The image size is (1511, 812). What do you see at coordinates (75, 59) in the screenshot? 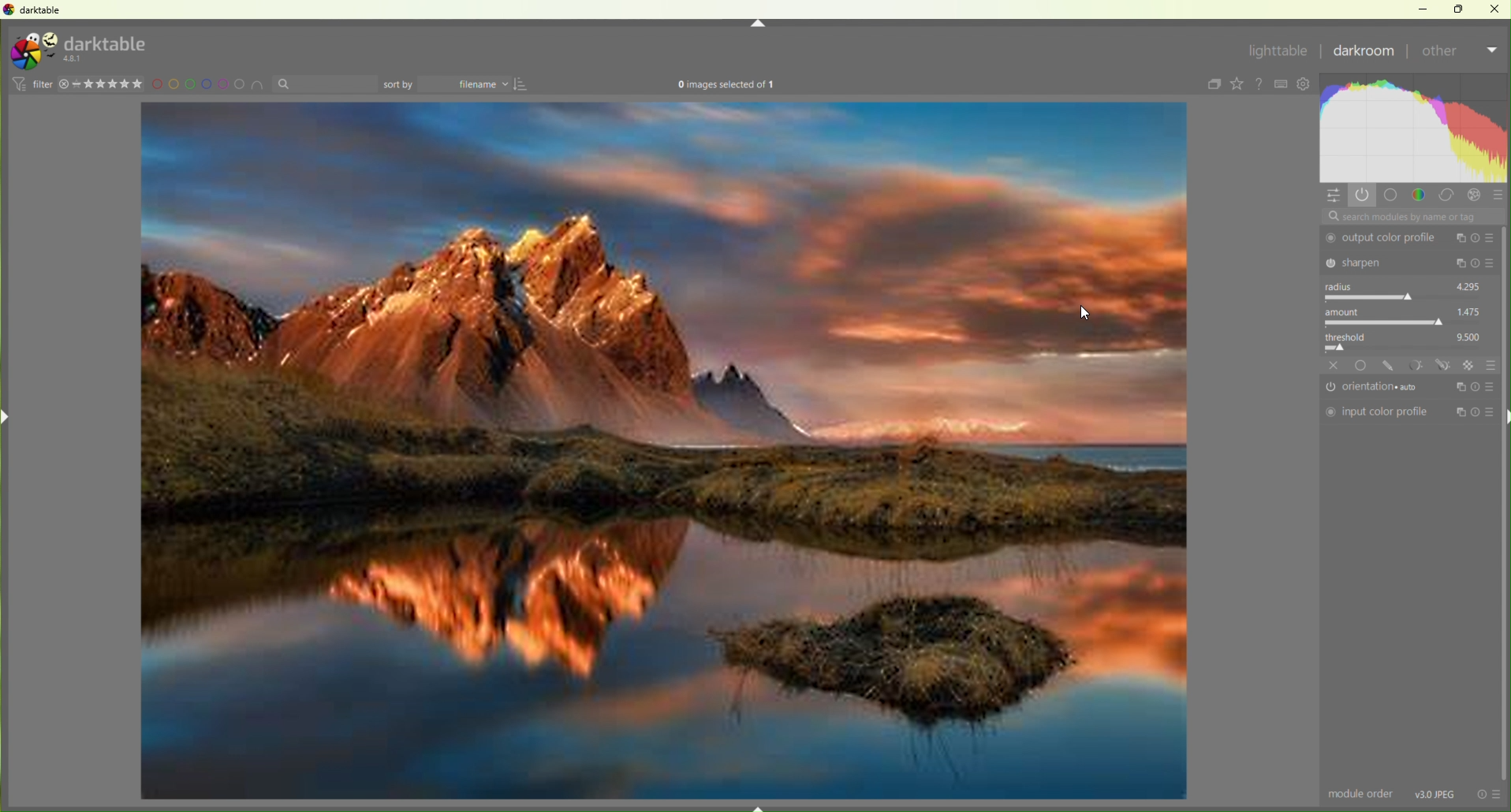
I see `version` at bounding box center [75, 59].